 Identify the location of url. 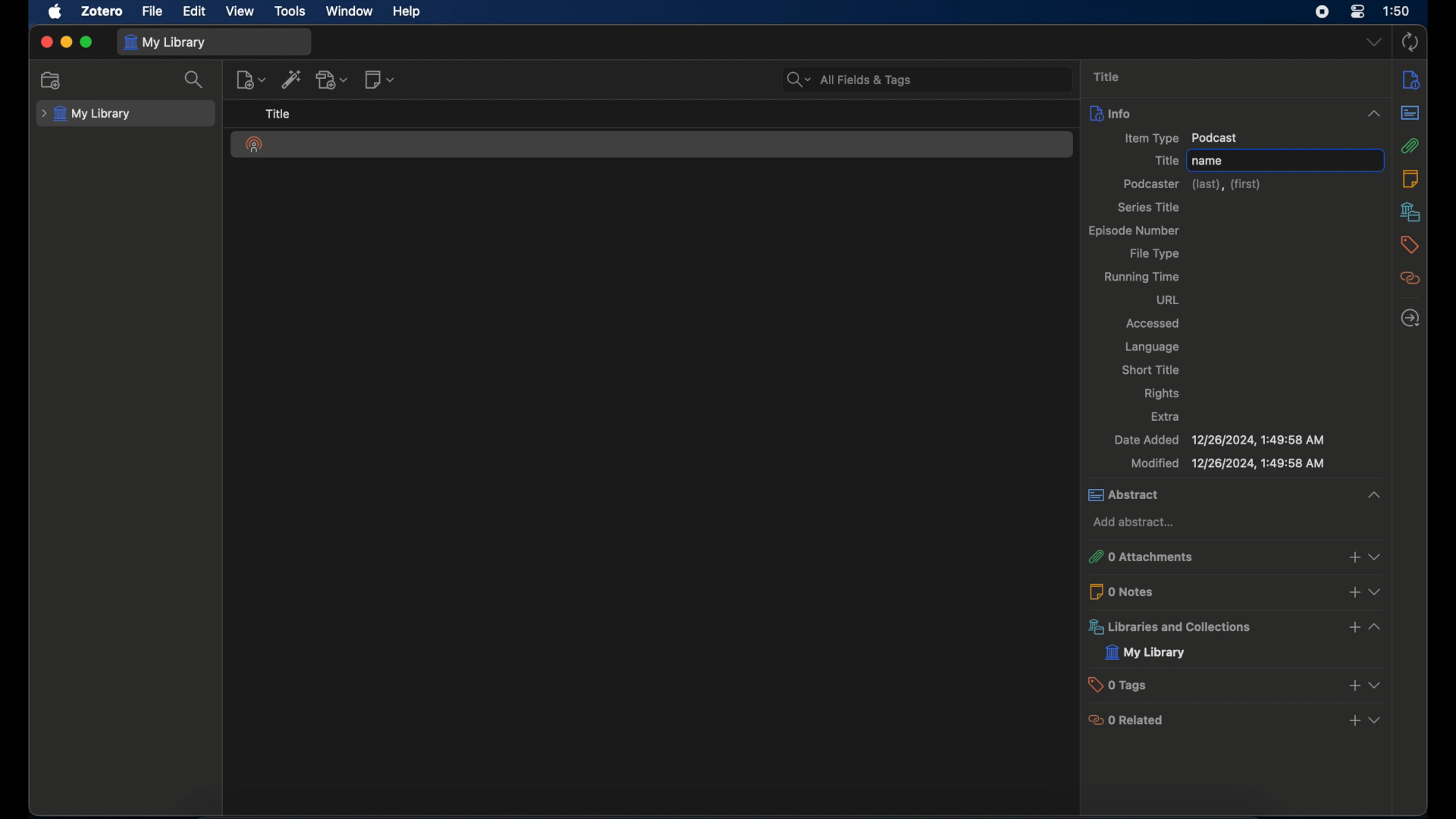
(1169, 301).